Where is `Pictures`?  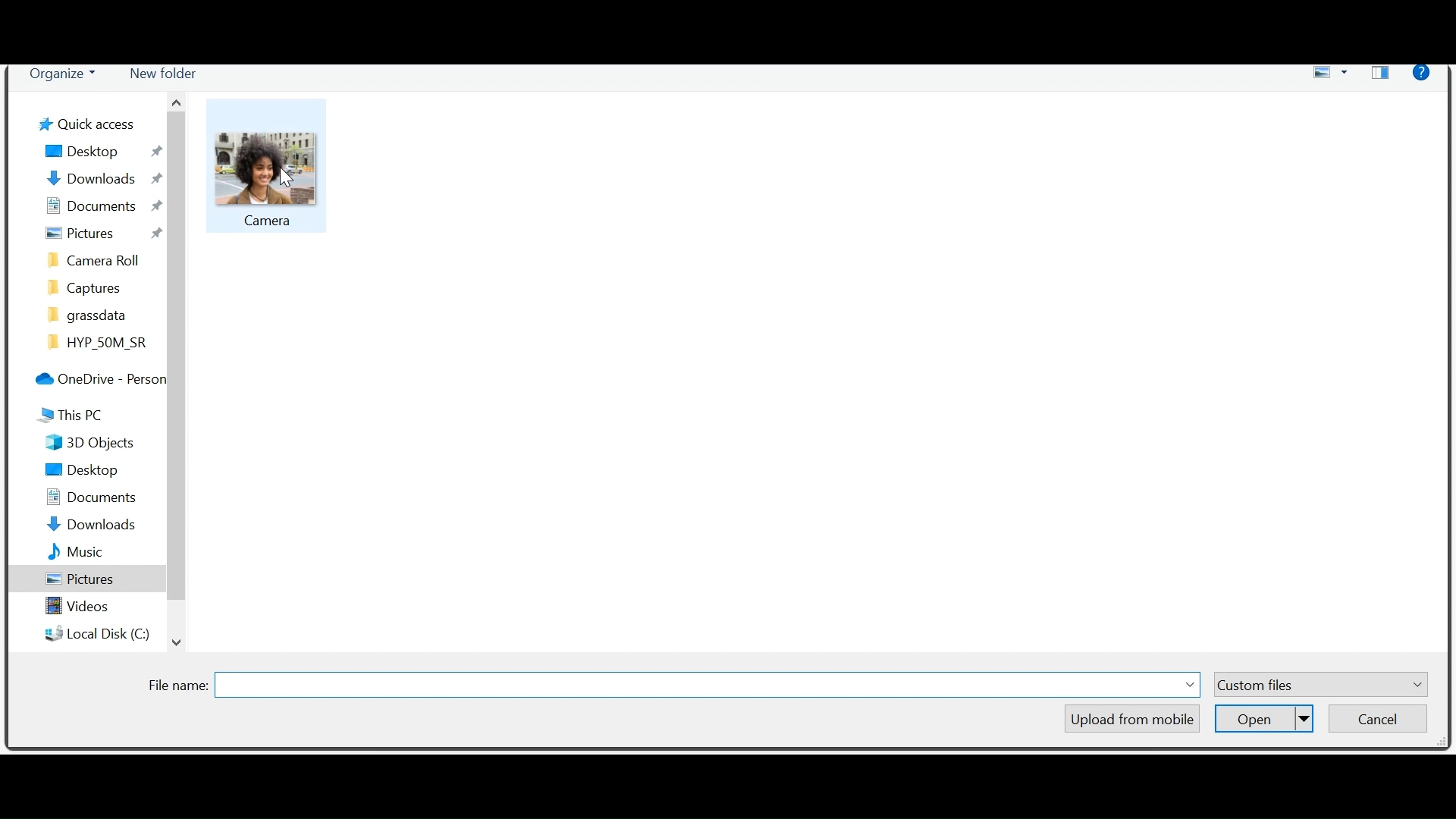
Pictures is located at coordinates (81, 578).